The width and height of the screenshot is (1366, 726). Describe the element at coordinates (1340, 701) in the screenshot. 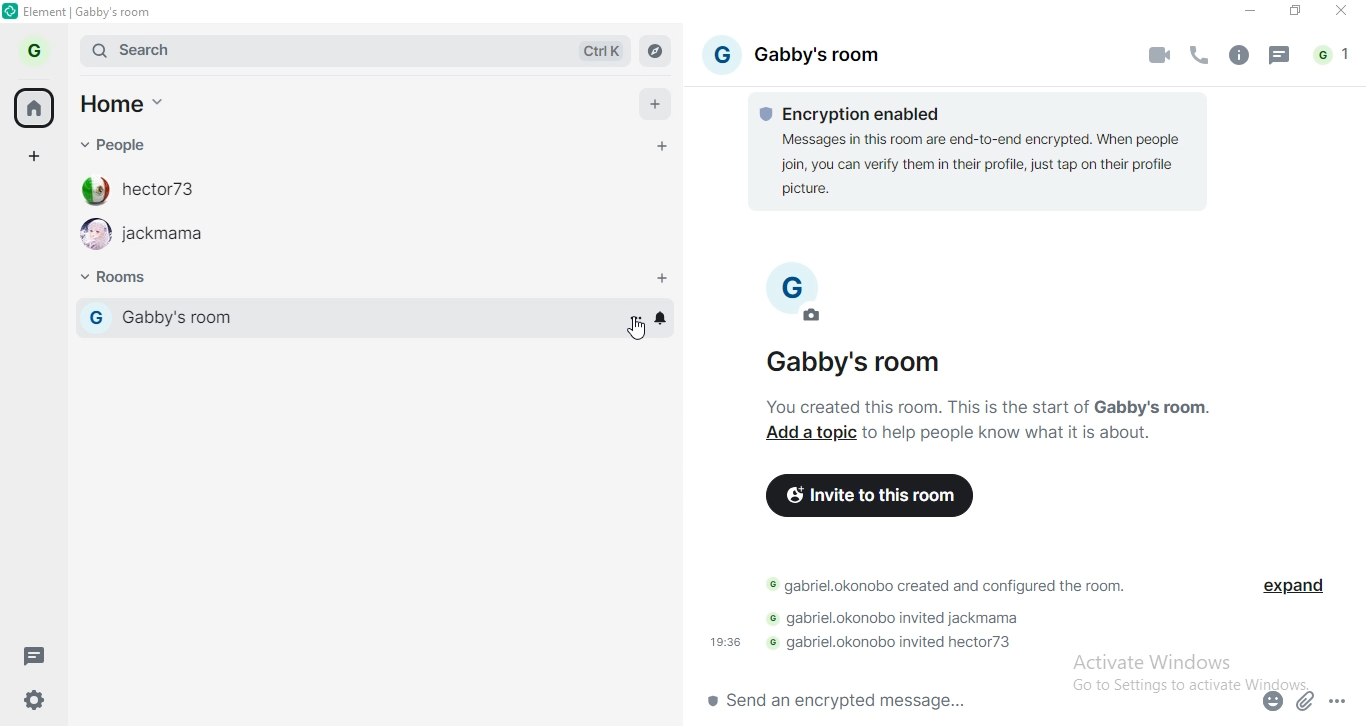

I see `options` at that location.